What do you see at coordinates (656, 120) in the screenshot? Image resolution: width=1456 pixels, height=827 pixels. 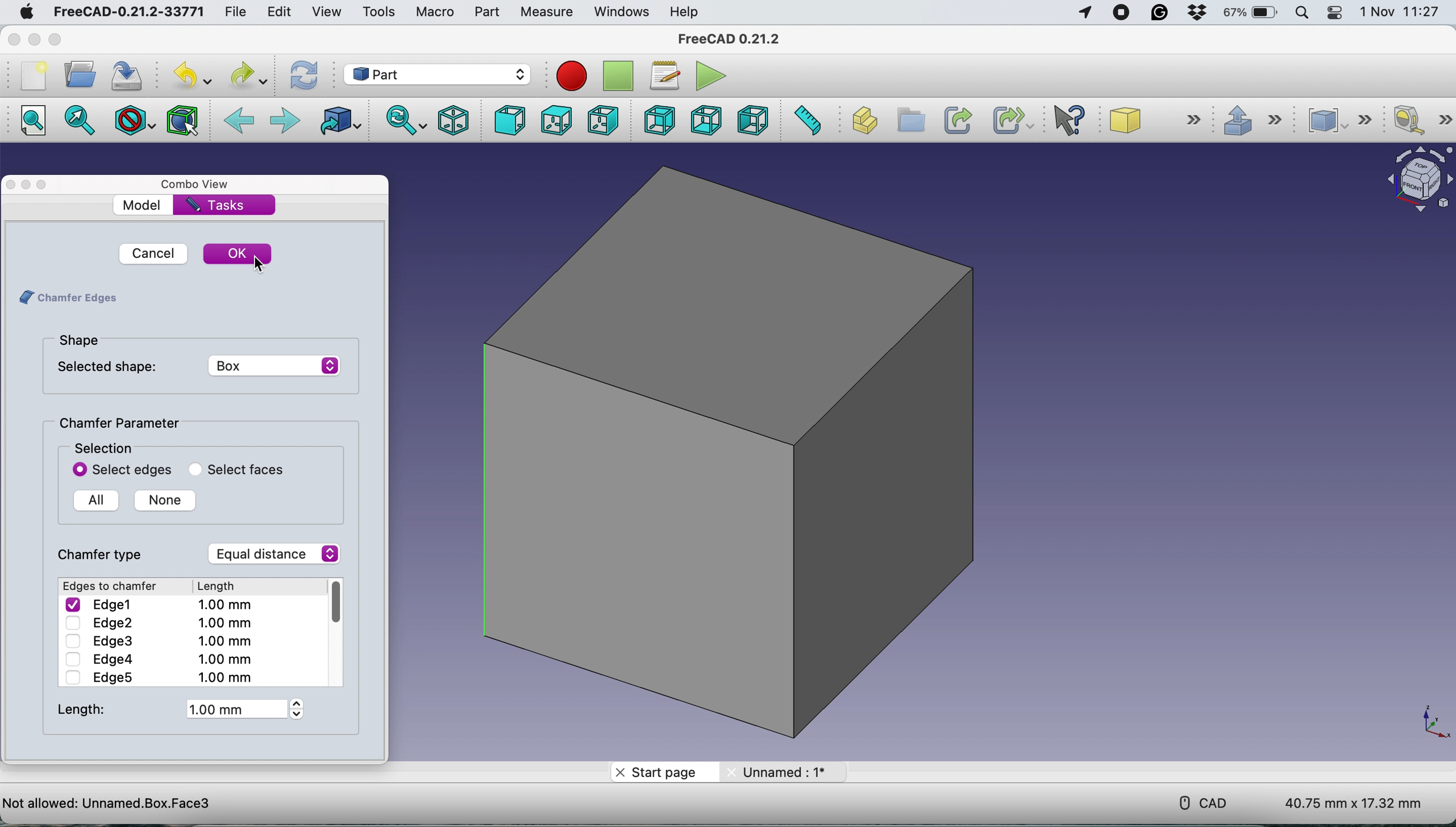 I see `rear` at bounding box center [656, 120].